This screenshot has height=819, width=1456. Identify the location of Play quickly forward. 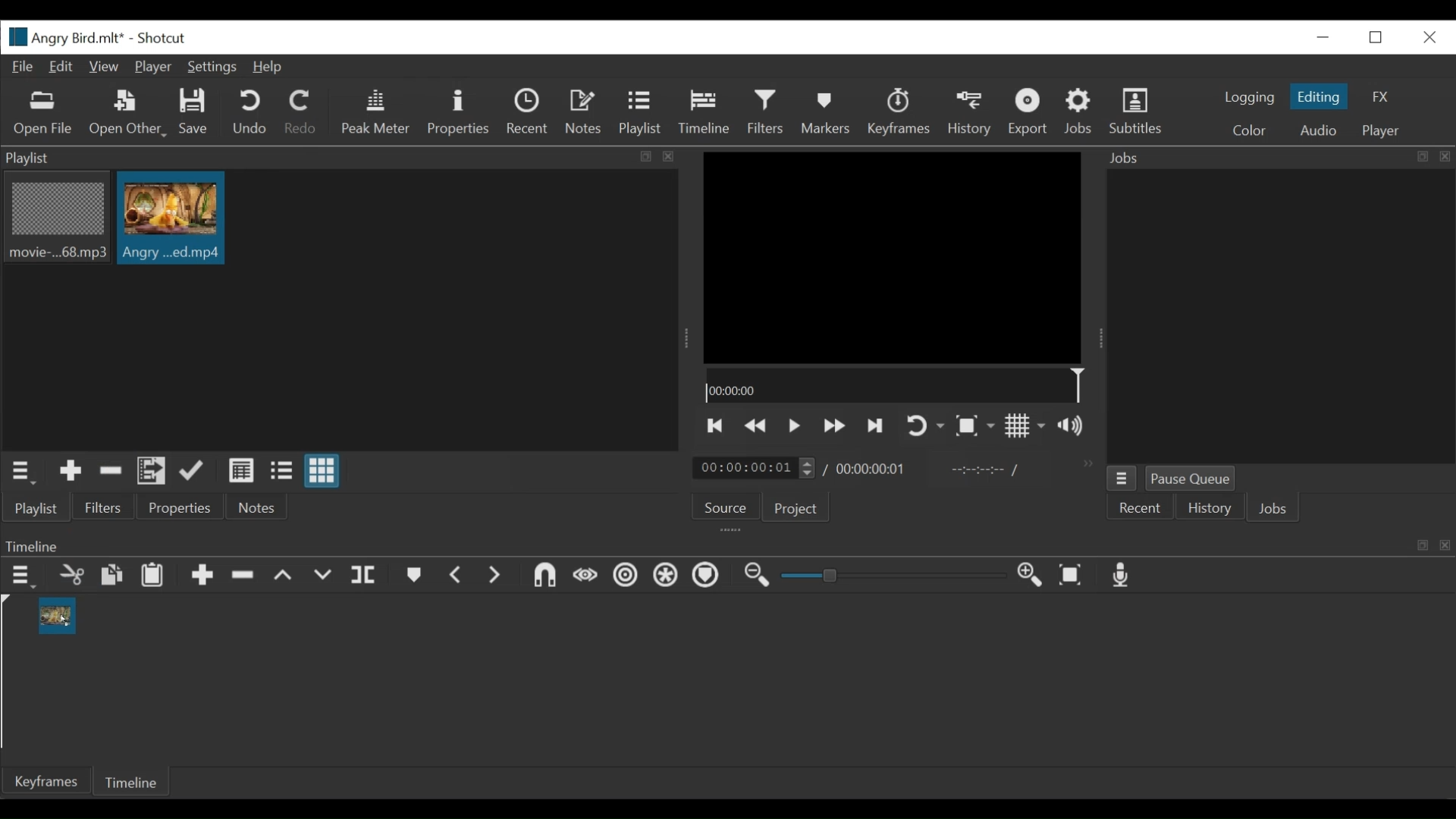
(833, 427).